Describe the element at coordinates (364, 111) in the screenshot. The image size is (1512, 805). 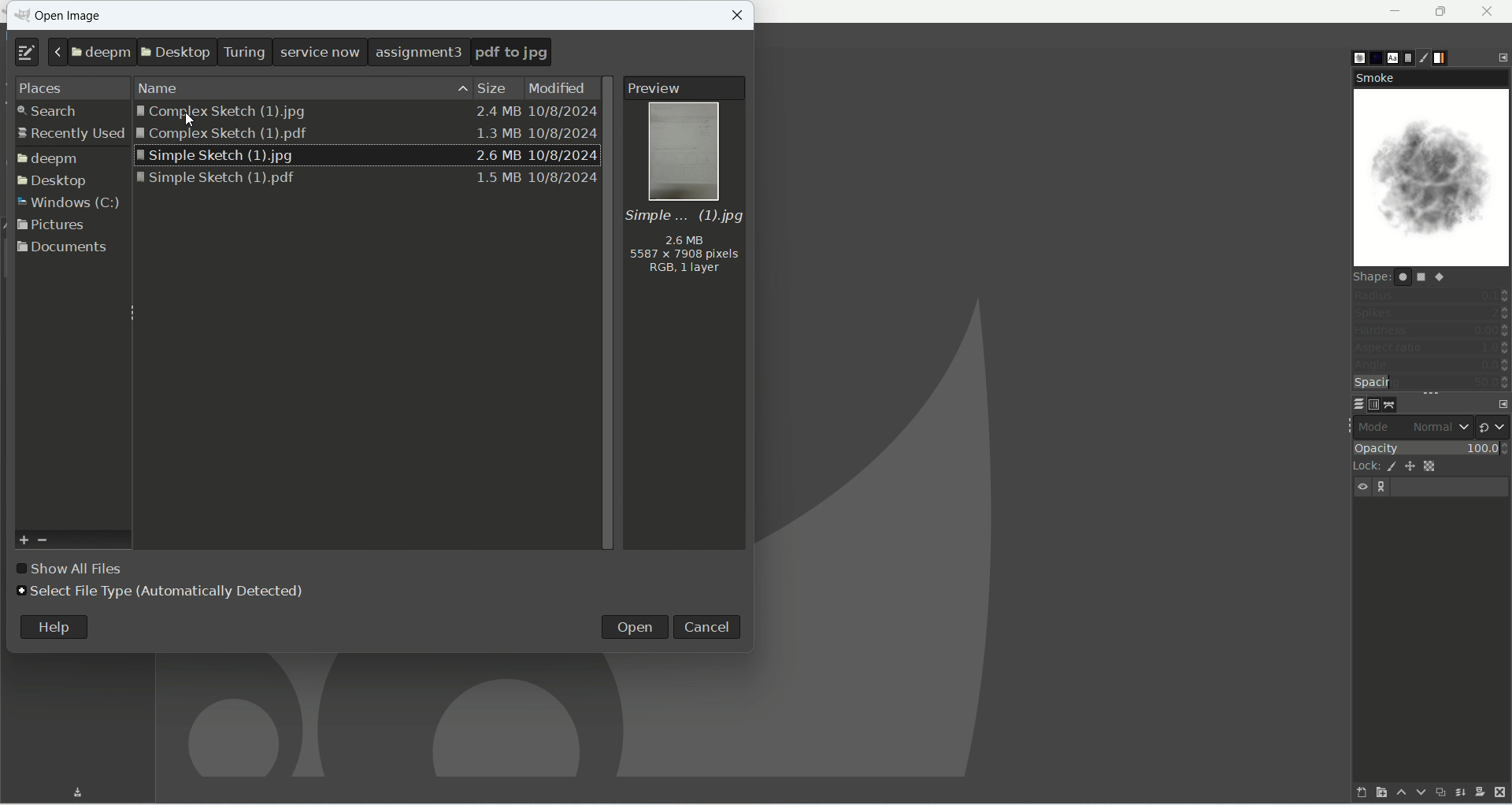
I see `| Complex Sketch` at that location.